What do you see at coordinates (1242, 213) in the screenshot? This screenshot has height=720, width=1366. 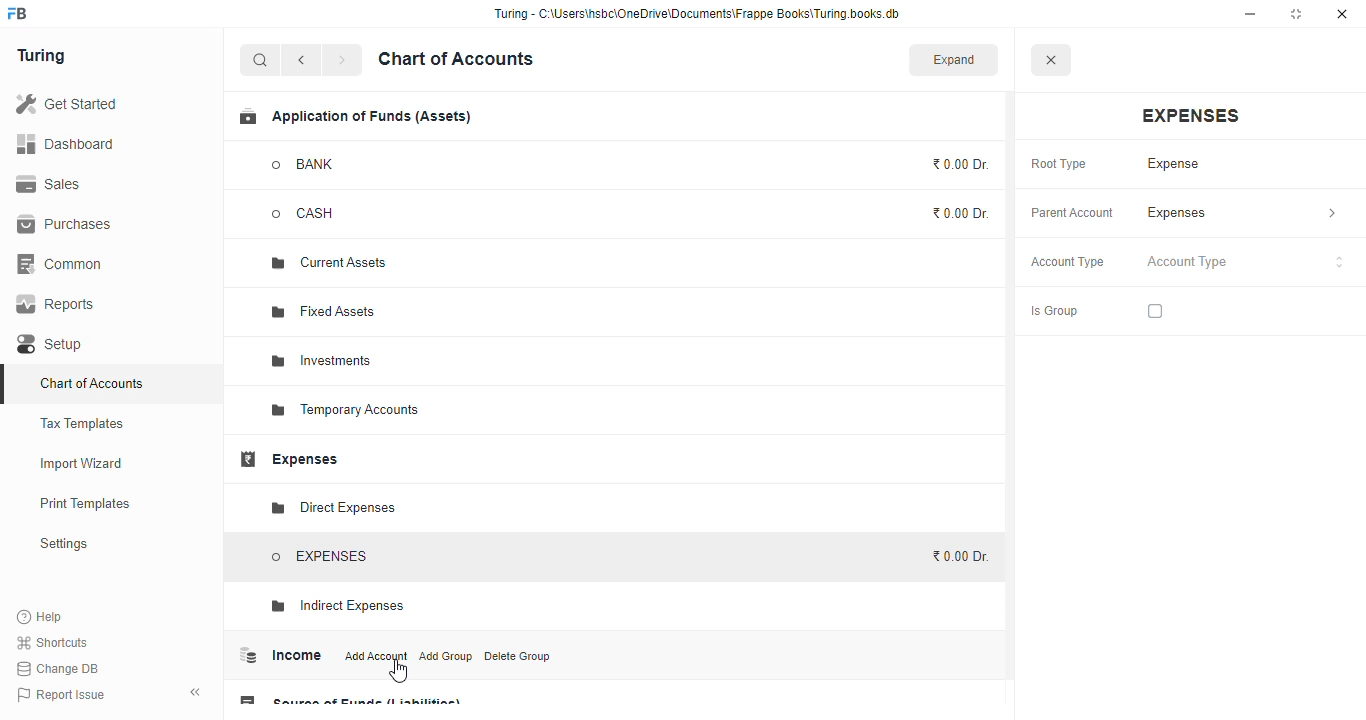 I see `expenses` at bounding box center [1242, 213].